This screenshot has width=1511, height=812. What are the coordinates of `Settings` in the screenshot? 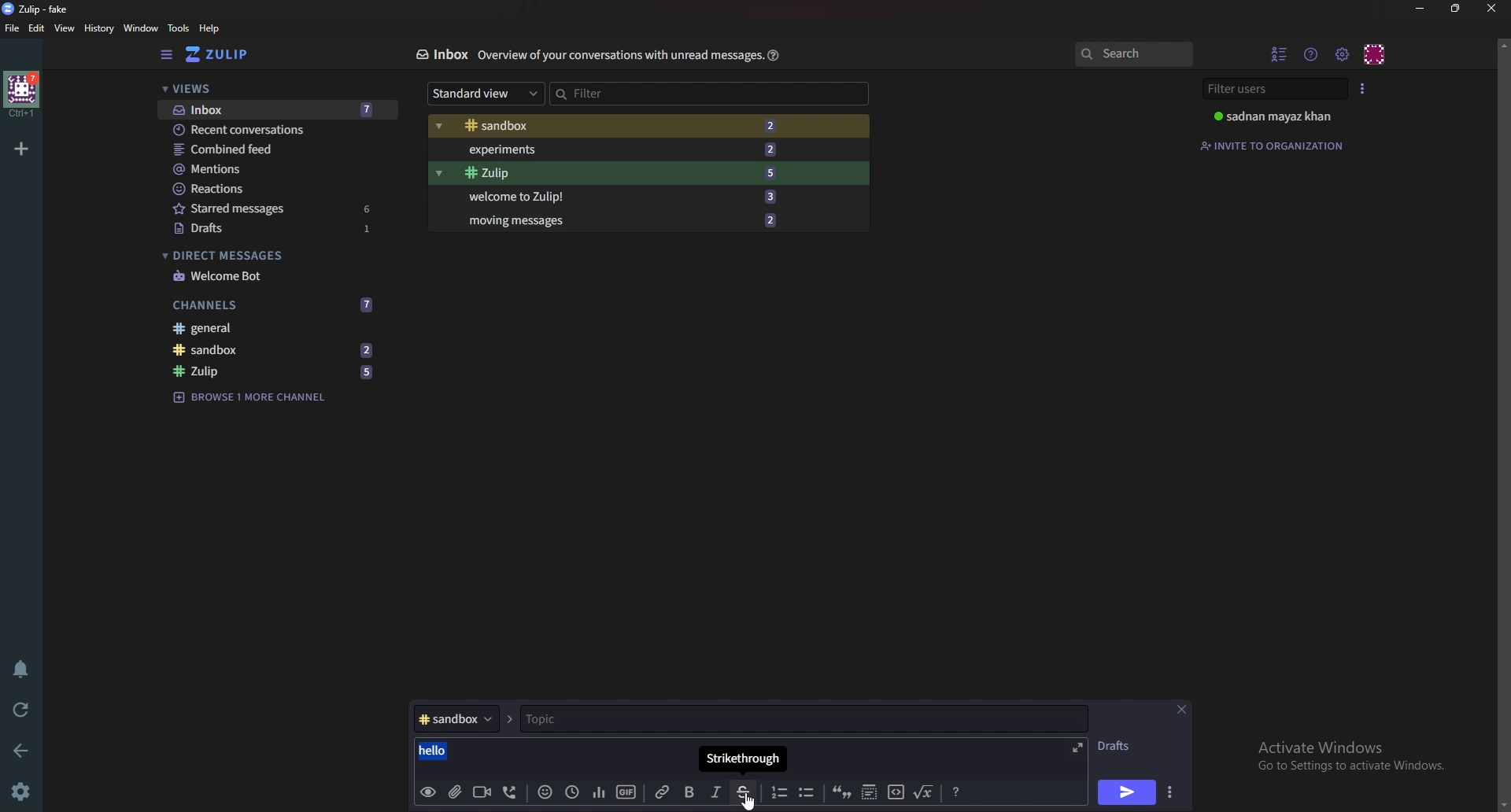 It's located at (24, 788).